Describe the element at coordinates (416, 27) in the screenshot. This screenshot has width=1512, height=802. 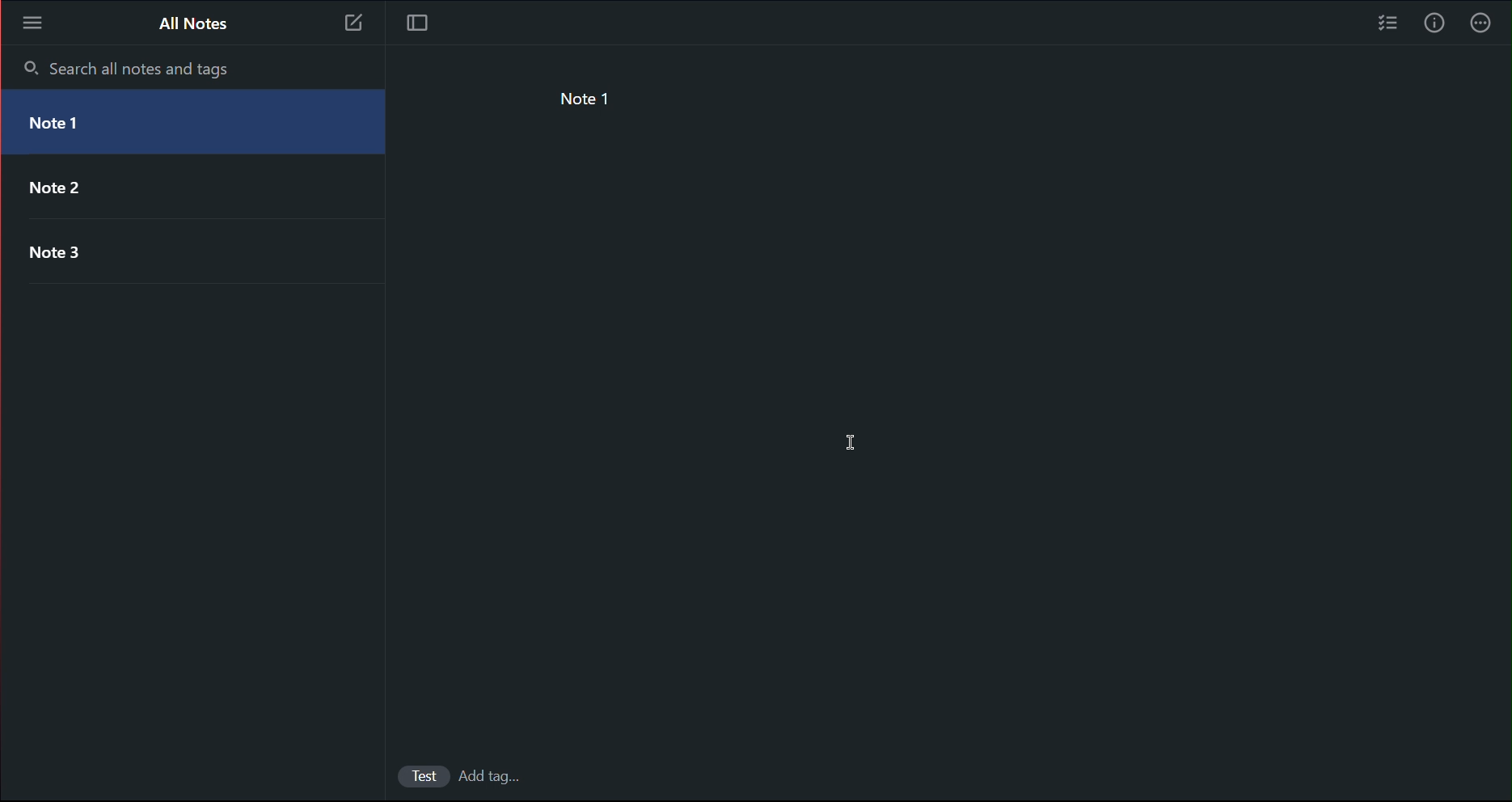
I see `Focus mode` at that location.